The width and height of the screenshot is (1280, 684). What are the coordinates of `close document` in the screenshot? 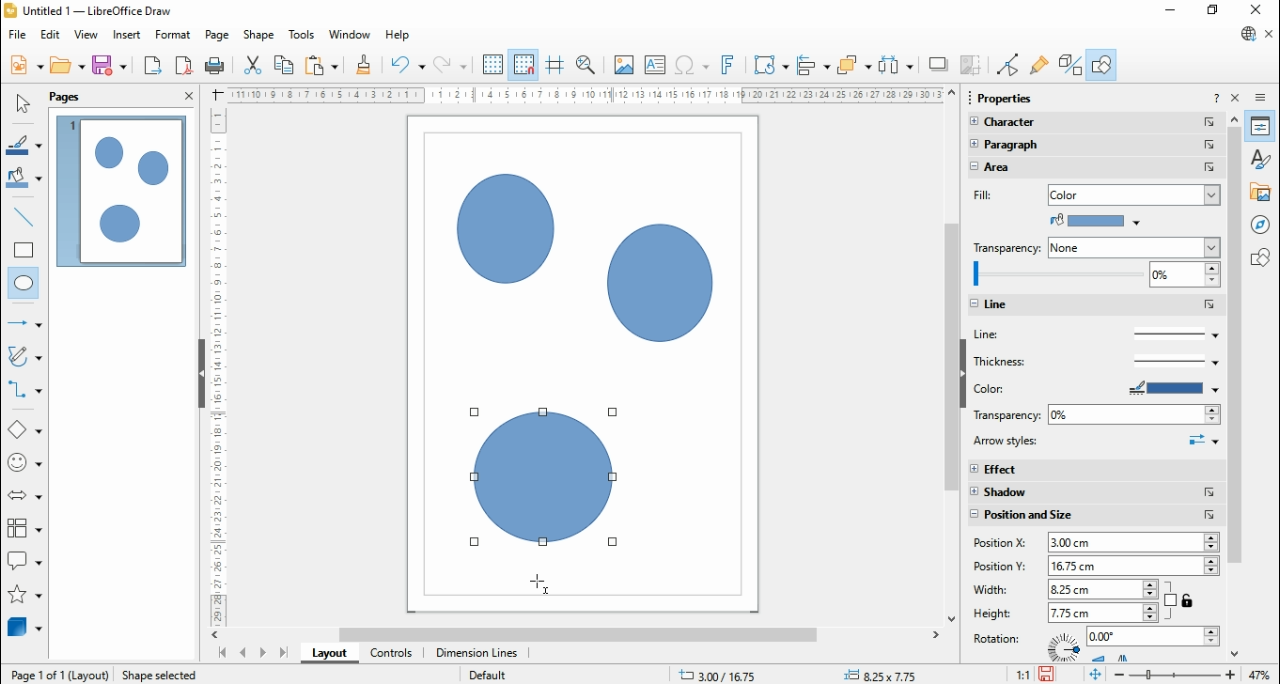 It's located at (1270, 35).